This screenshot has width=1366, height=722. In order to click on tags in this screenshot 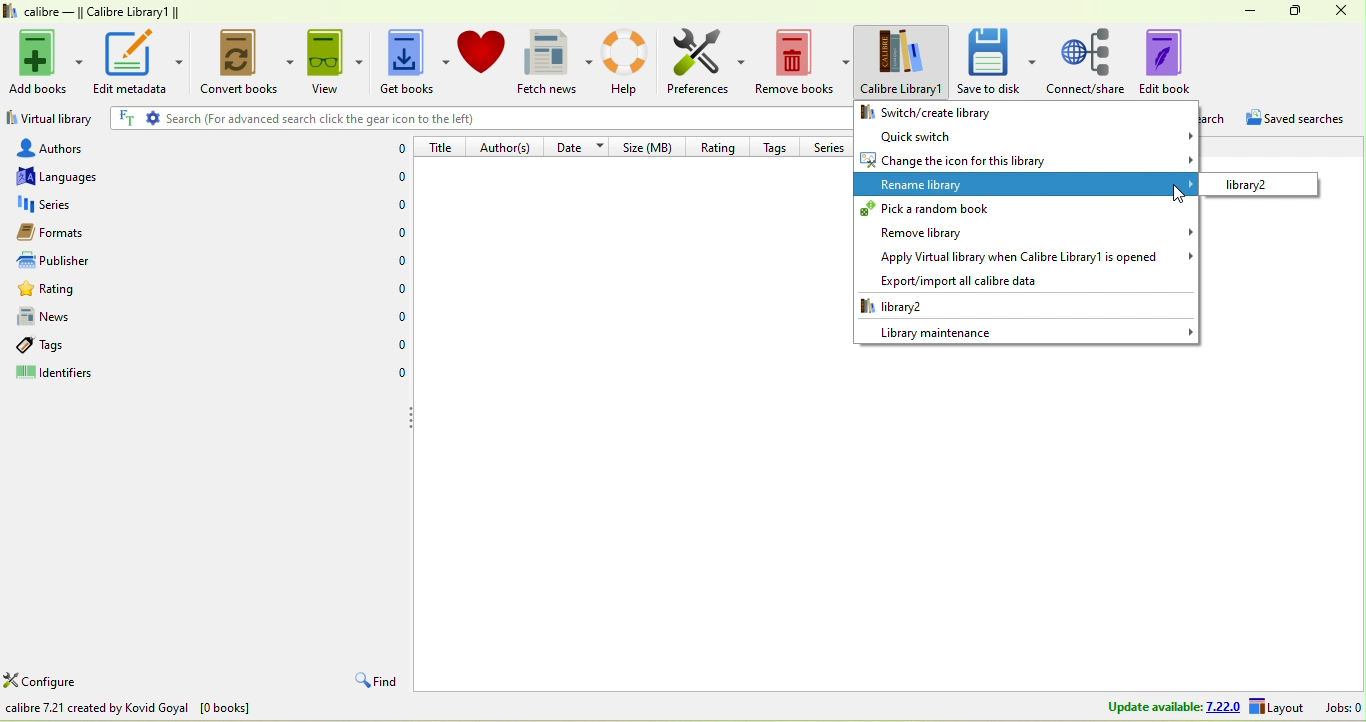, I will do `click(68, 345)`.